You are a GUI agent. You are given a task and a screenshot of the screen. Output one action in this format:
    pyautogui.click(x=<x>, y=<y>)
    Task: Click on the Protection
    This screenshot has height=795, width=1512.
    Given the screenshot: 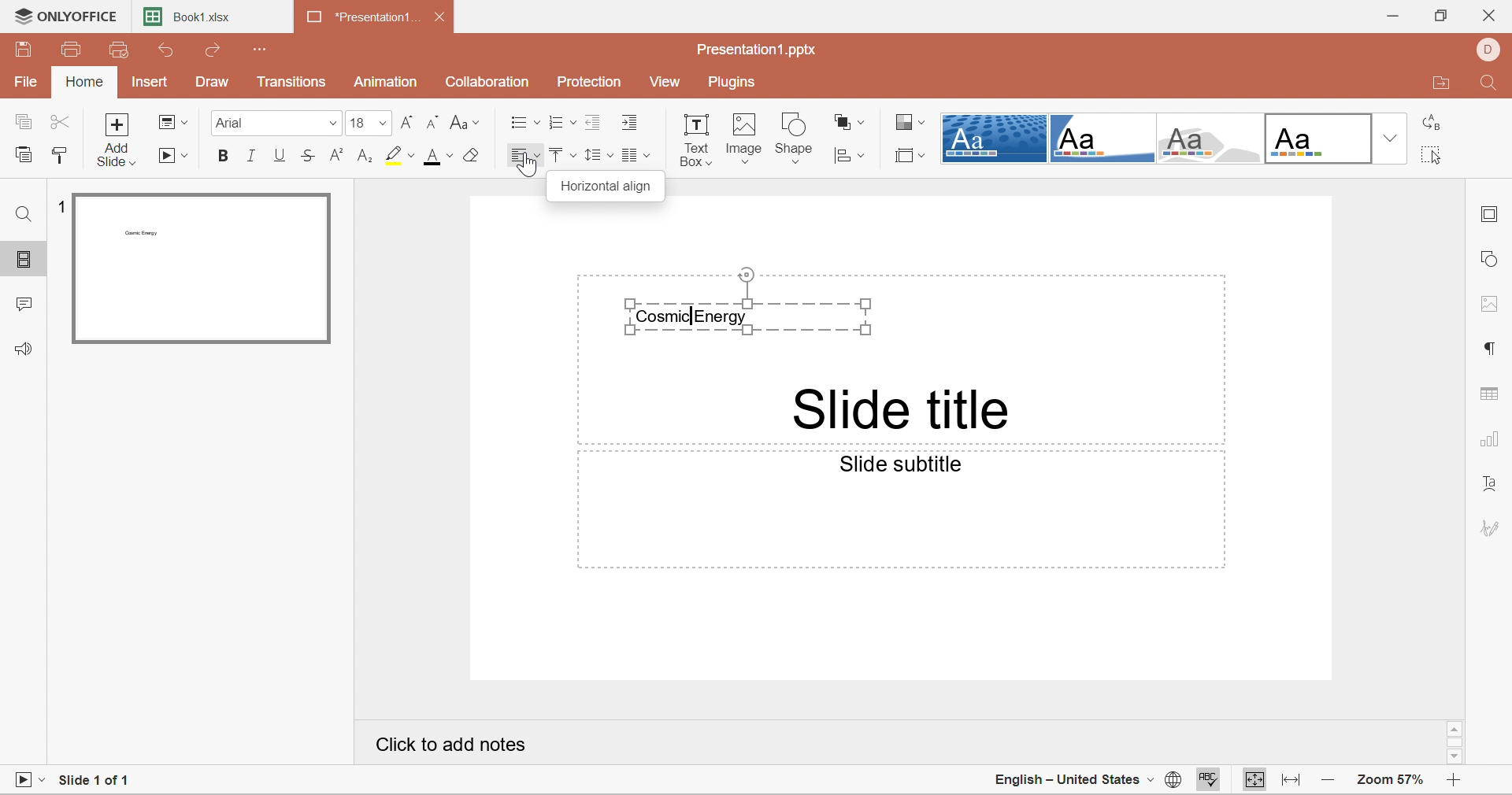 What is the action you would take?
    pyautogui.click(x=590, y=80)
    